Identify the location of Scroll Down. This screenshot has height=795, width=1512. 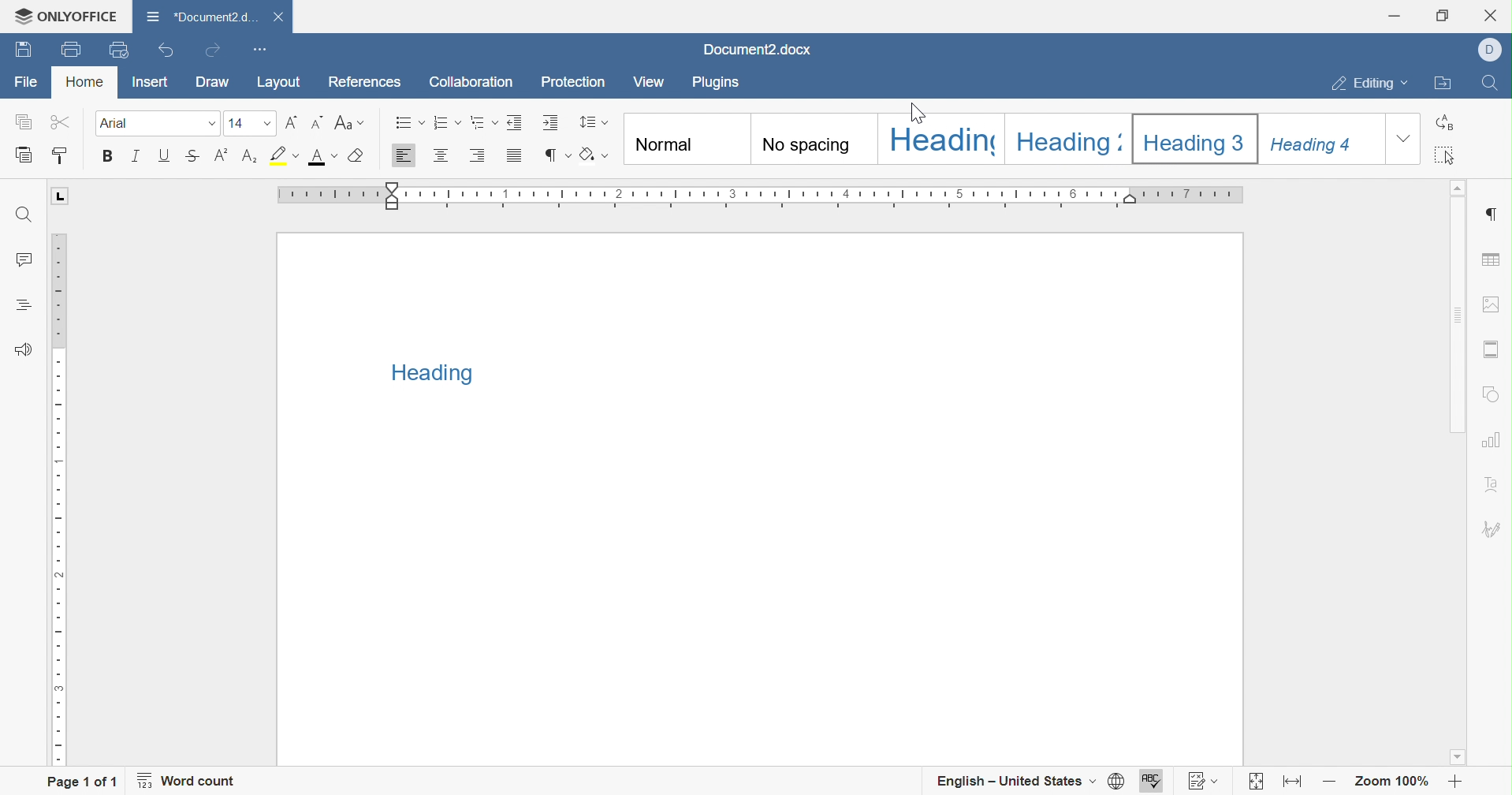
(1462, 759).